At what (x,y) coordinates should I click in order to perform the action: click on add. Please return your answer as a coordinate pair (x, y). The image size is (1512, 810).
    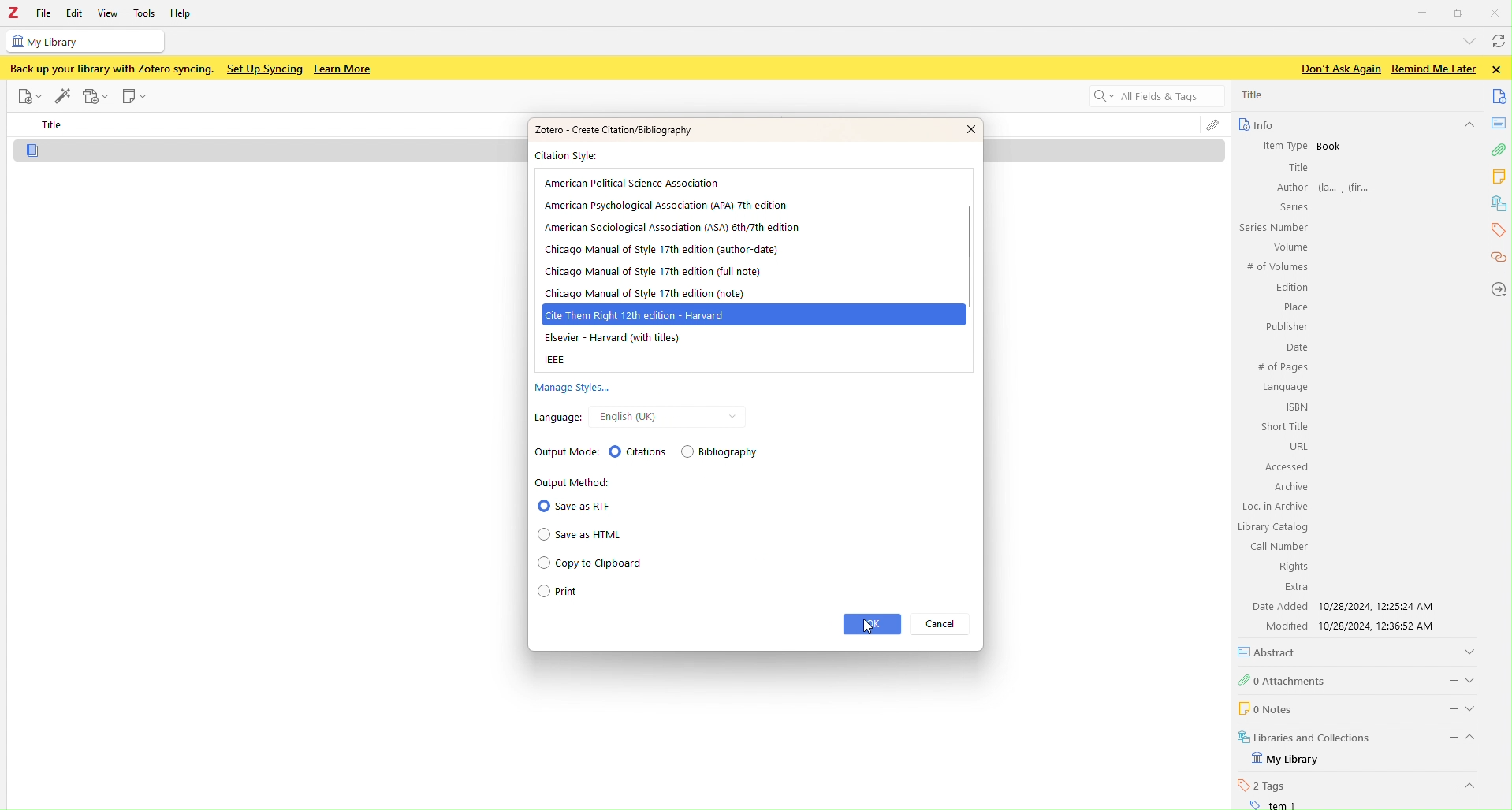
    Looking at the image, I should click on (1444, 707).